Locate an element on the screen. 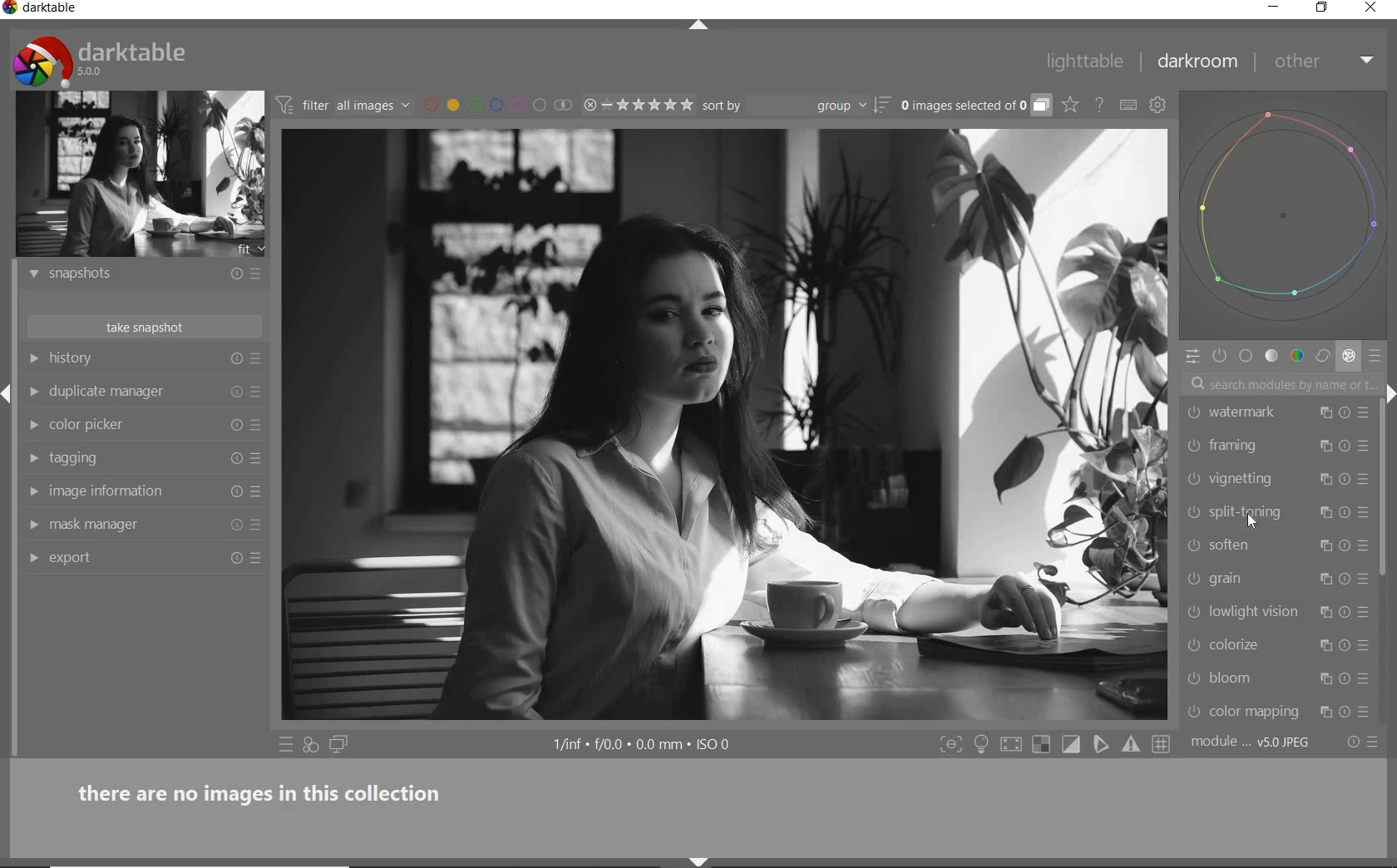 The width and height of the screenshot is (1397, 868). open online help is located at coordinates (1099, 104).